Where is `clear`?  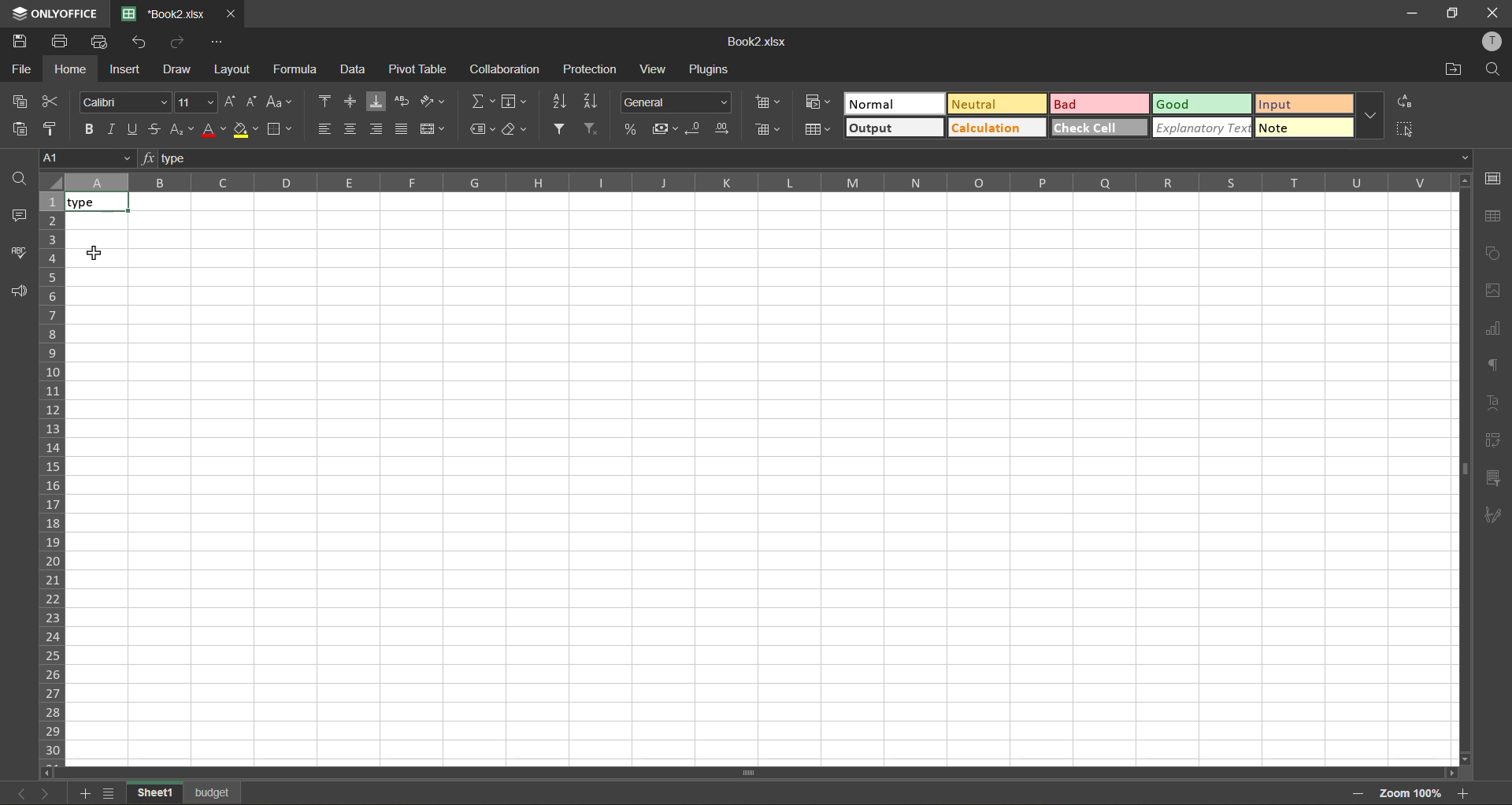
clear is located at coordinates (517, 129).